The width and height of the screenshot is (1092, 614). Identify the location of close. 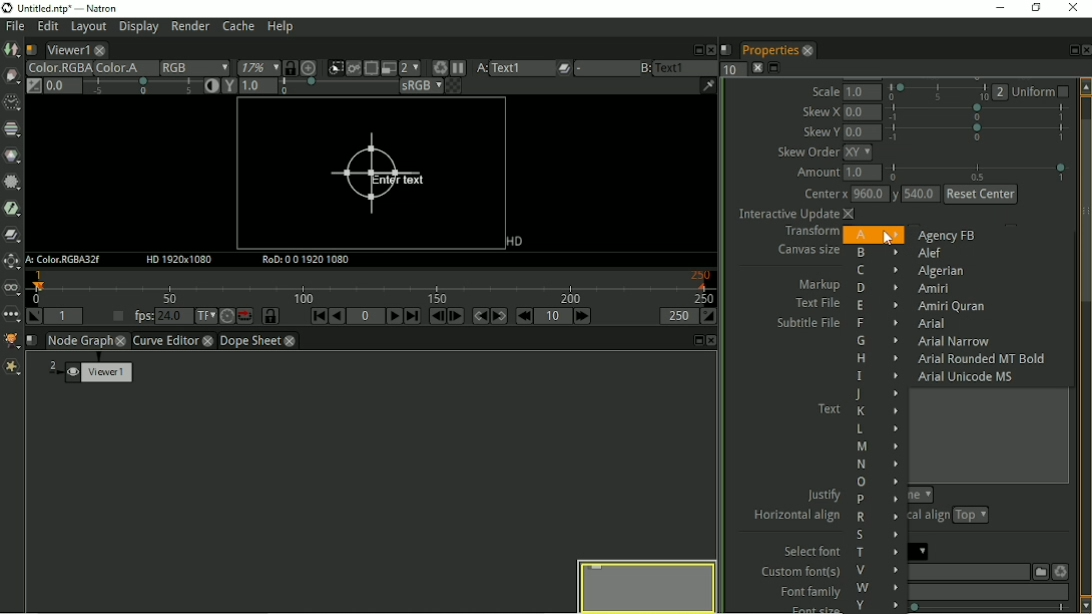
(290, 342).